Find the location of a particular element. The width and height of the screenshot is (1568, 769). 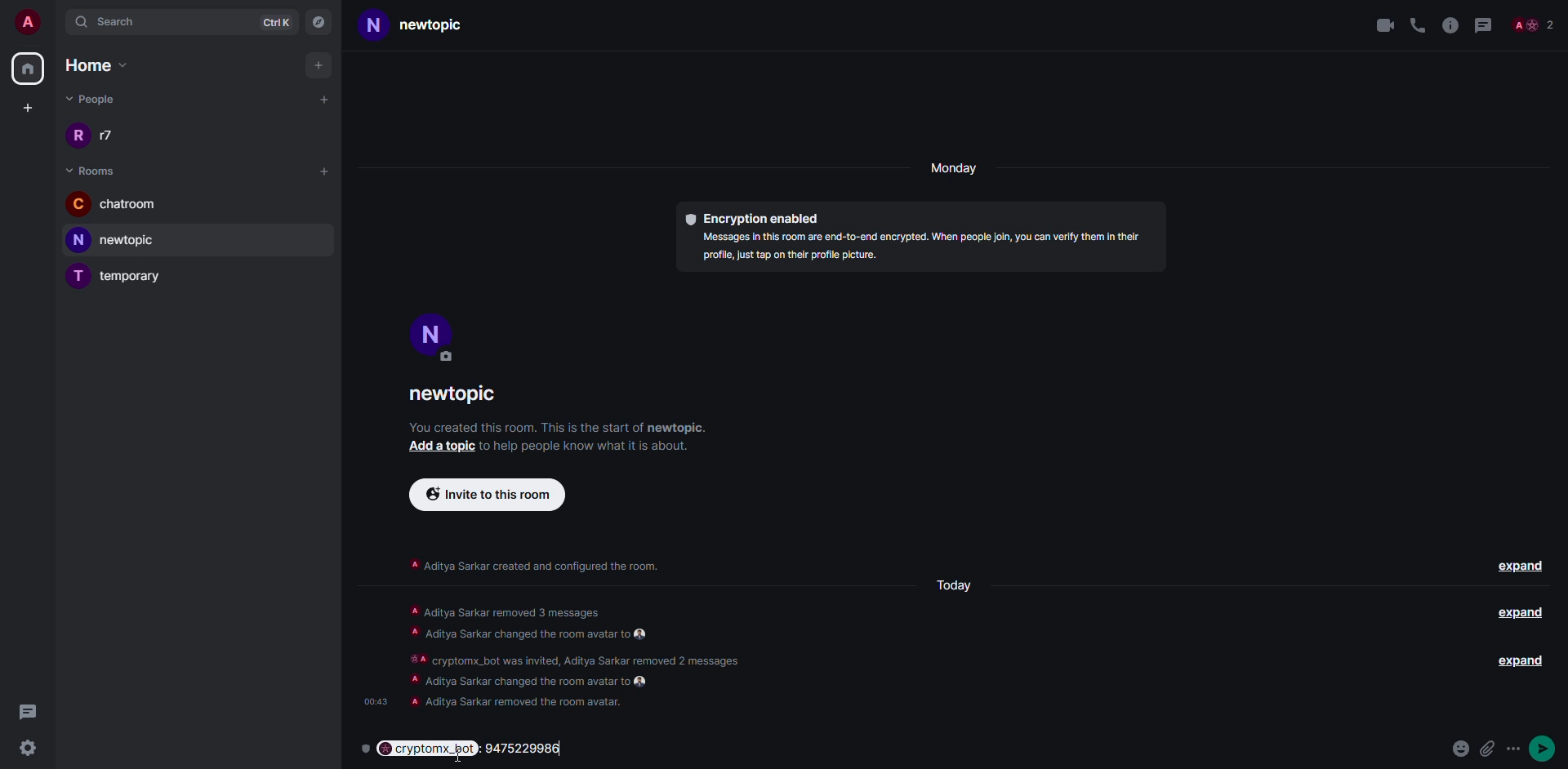

create space is located at coordinates (24, 108).